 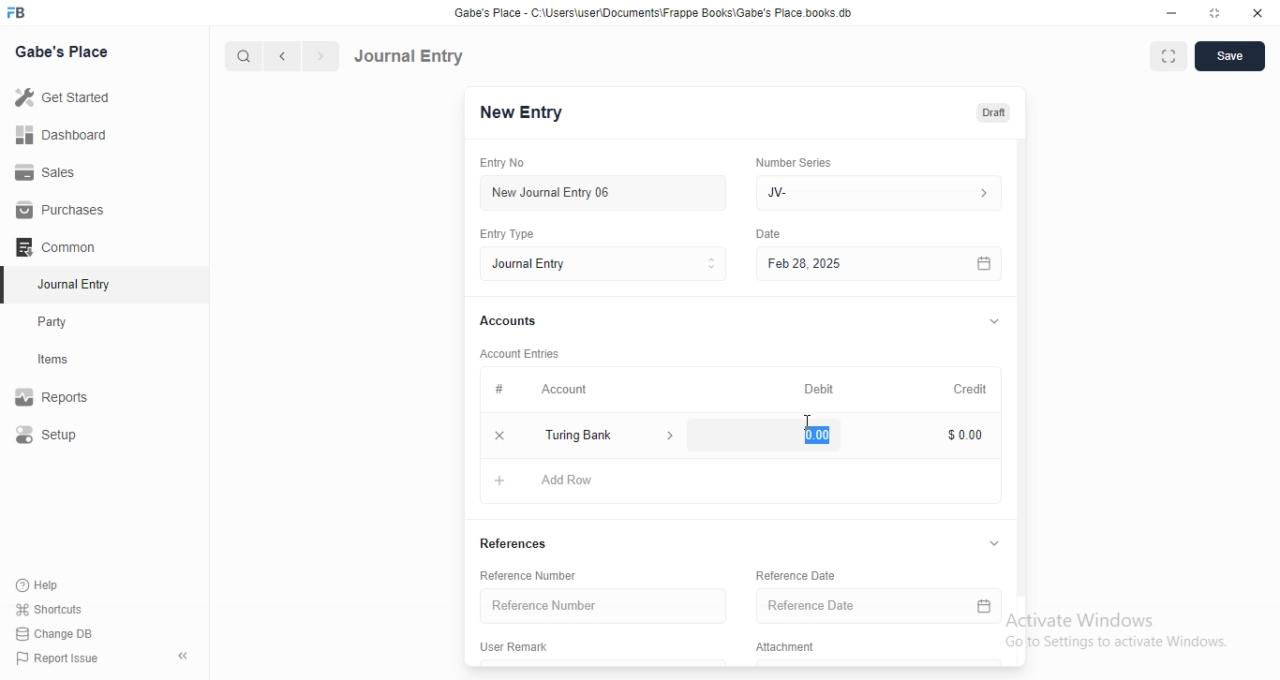 I want to click on Setup, so click(x=66, y=436).